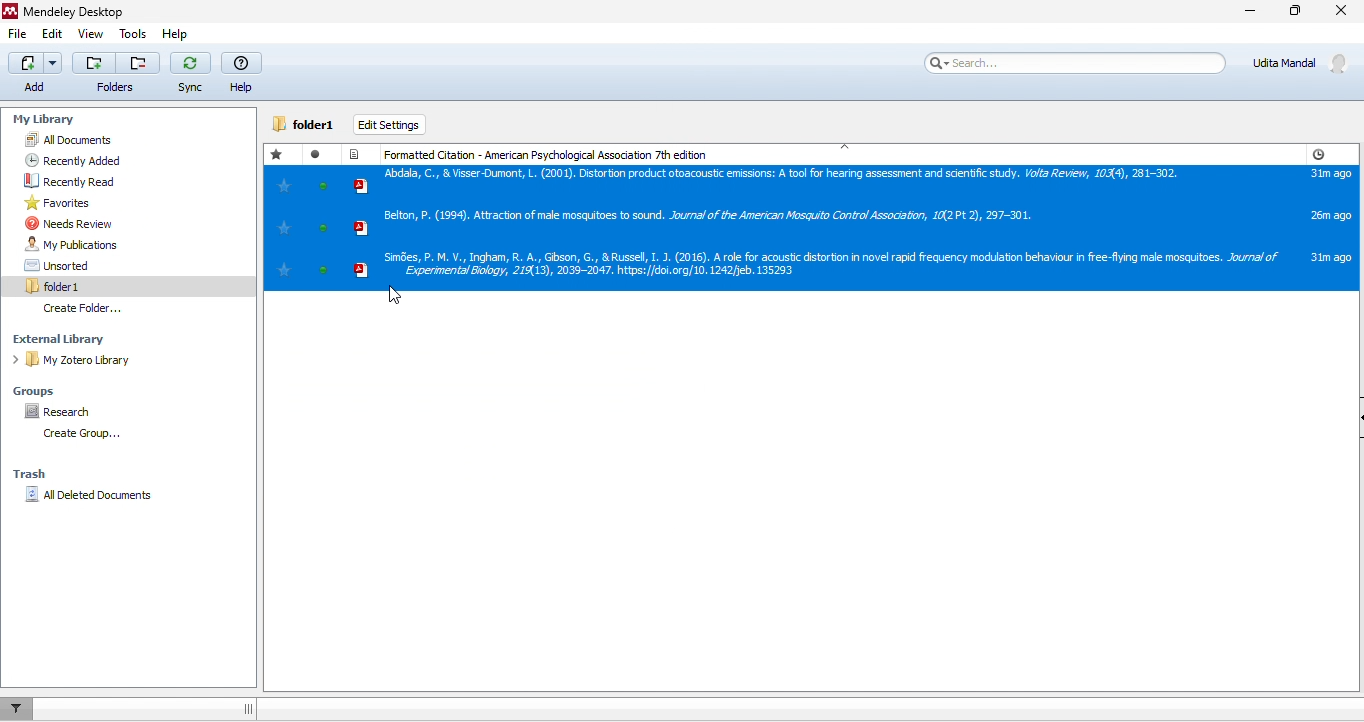 The height and width of the screenshot is (722, 1364). I want to click on folders, so click(113, 72).